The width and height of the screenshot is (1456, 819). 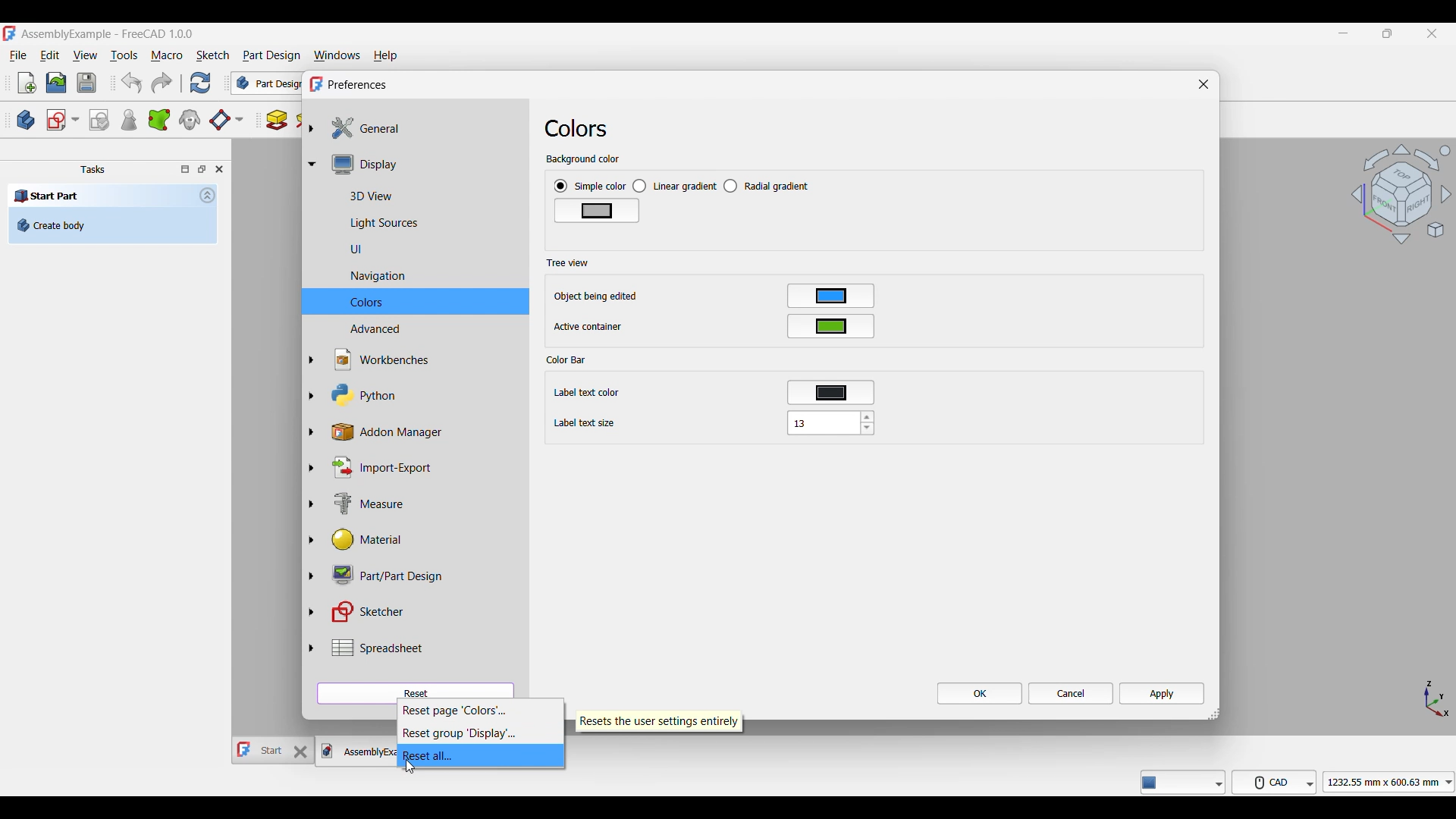 I want to click on Undo, so click(x=132, y=83).